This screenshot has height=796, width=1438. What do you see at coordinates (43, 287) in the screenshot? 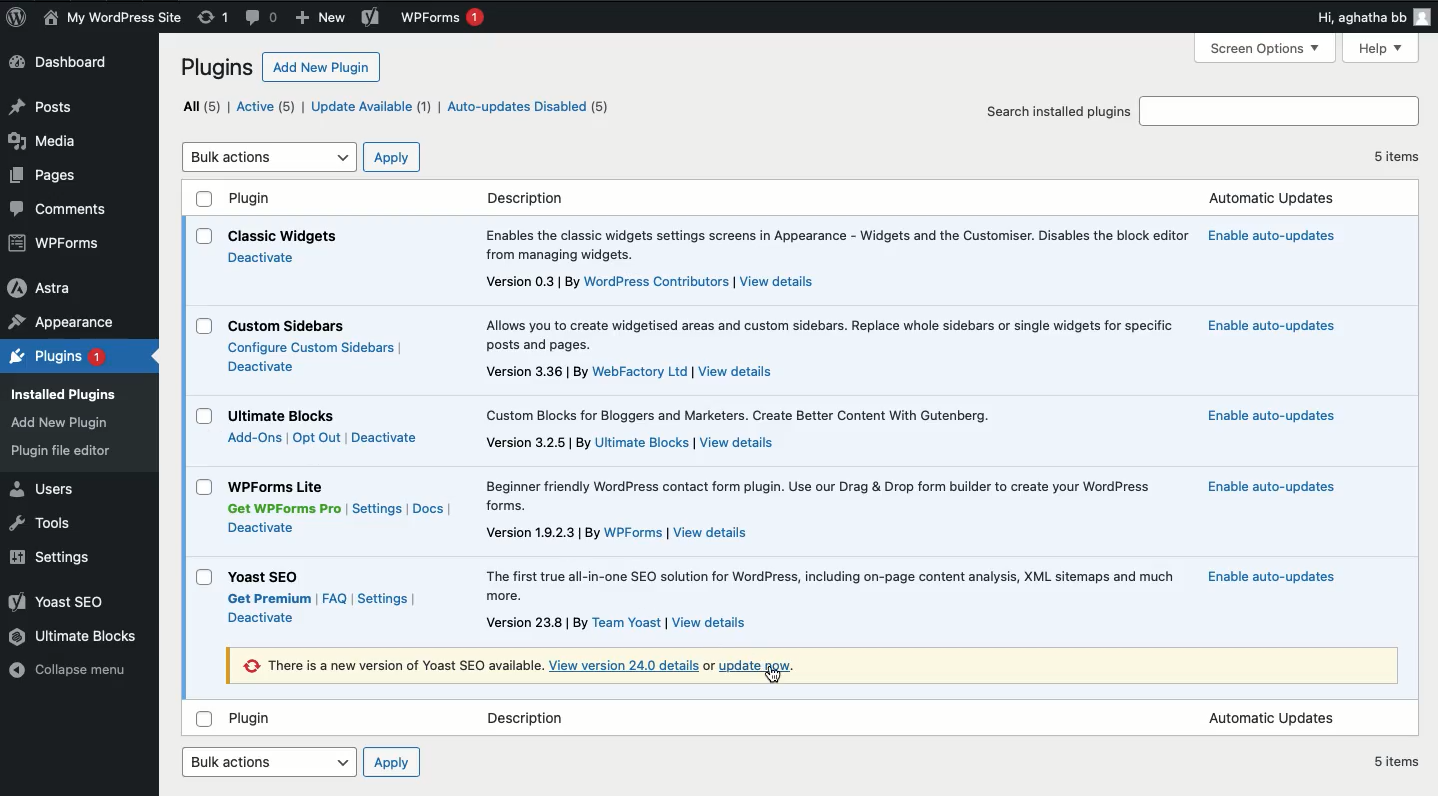
I see `Astra` at bounding box center [43, 287].